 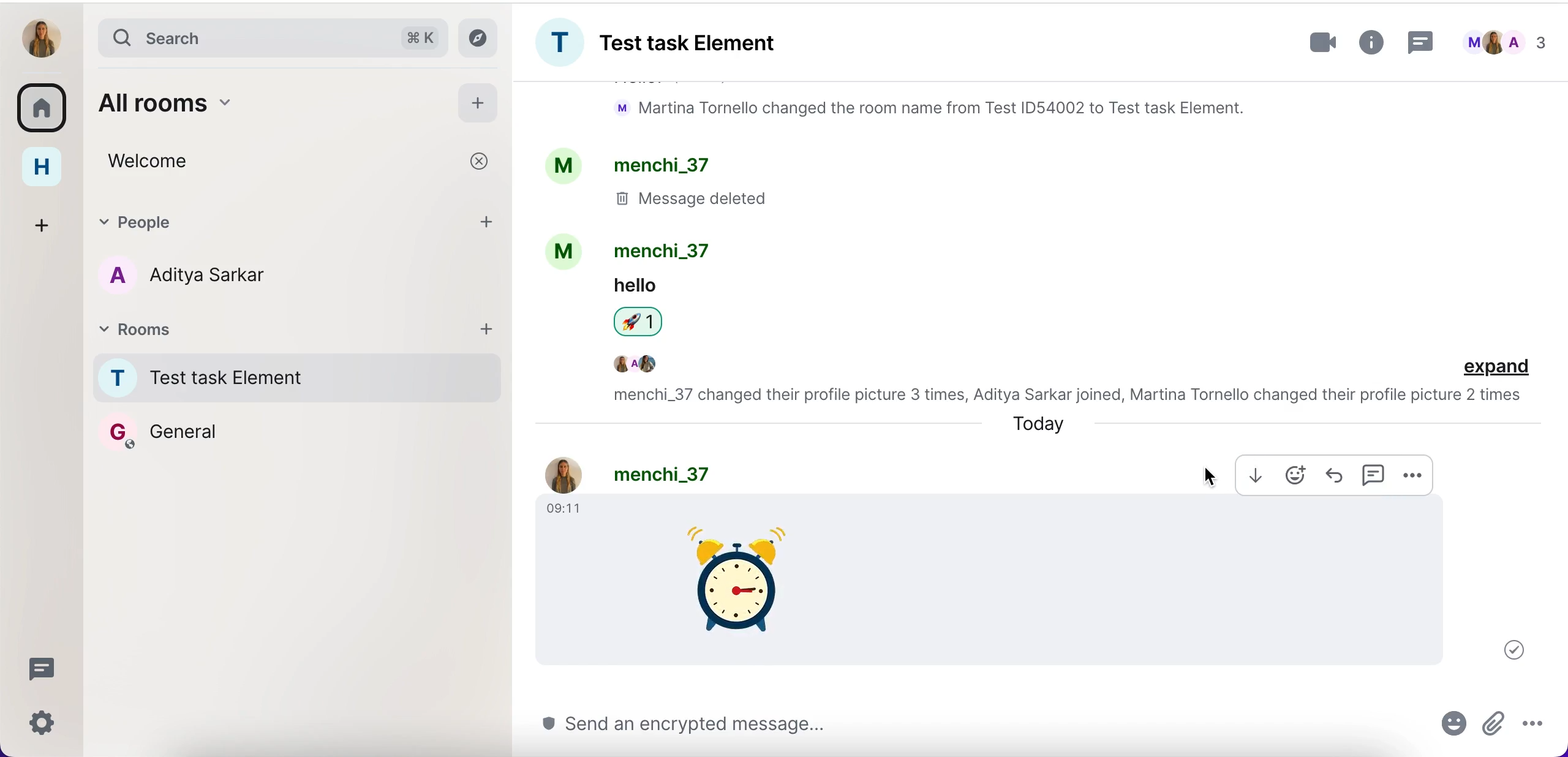 I want to click on message delivered, so click(x=1515, y=649).